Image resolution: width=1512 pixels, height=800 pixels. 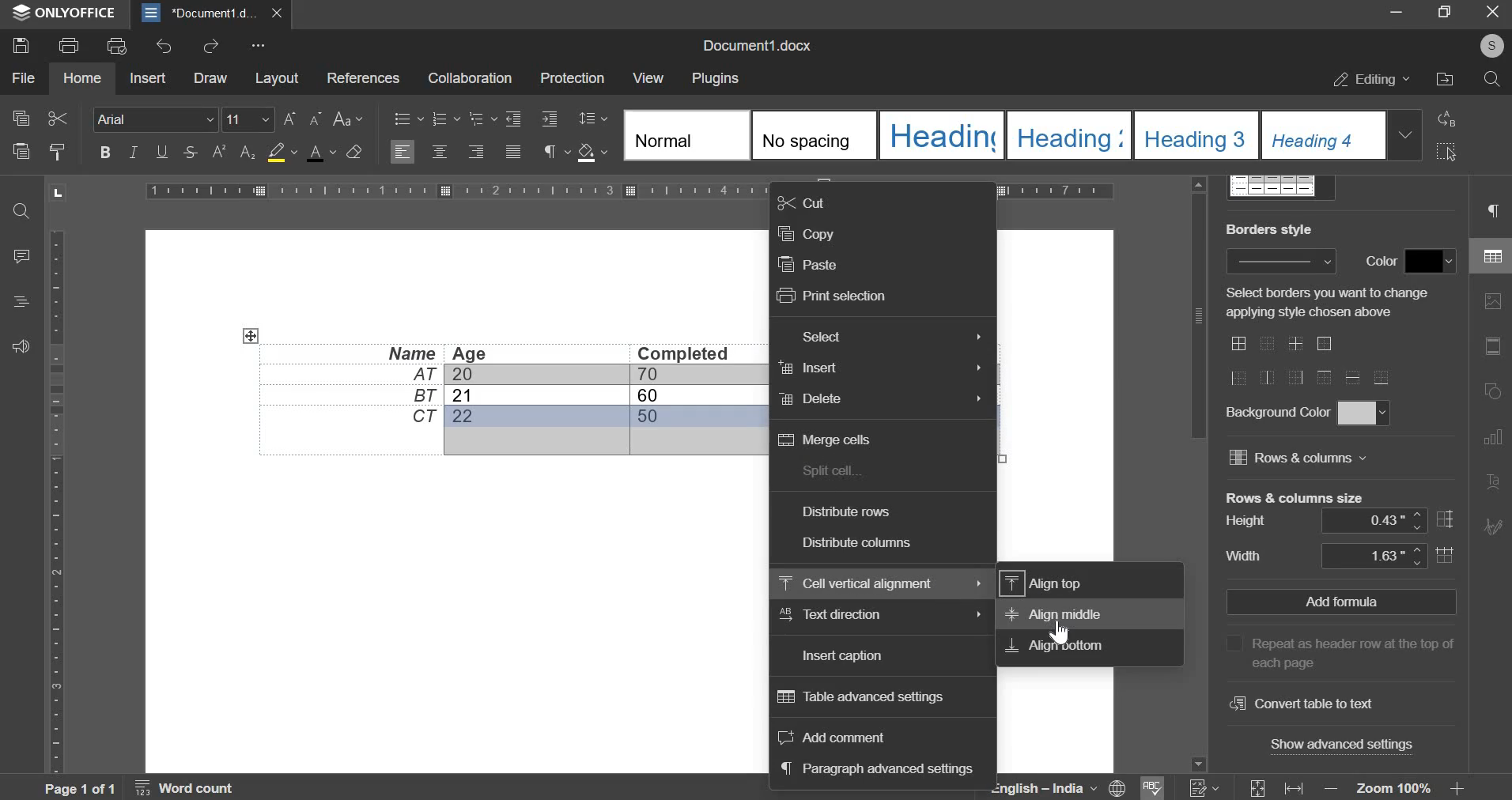 What do you see at coordinates (232, 152) in the screenshot?
I see `superscript and subscript` at bounding box center [232, 152].